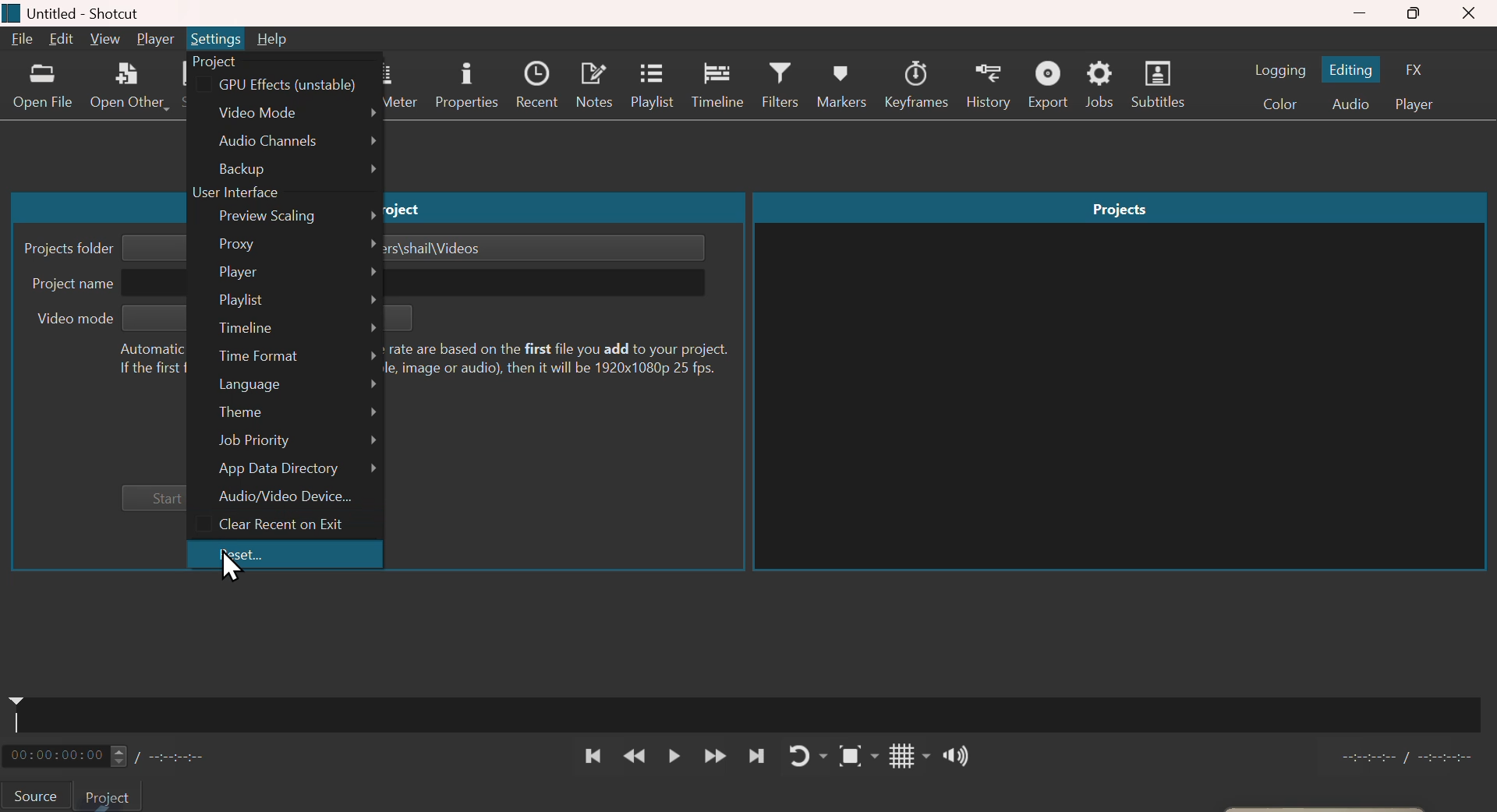 The height and width of the screenshot is (812, 1497). Describe the element at coordinates (285, 470) in the screenshot. I see `App data directory` at that location.